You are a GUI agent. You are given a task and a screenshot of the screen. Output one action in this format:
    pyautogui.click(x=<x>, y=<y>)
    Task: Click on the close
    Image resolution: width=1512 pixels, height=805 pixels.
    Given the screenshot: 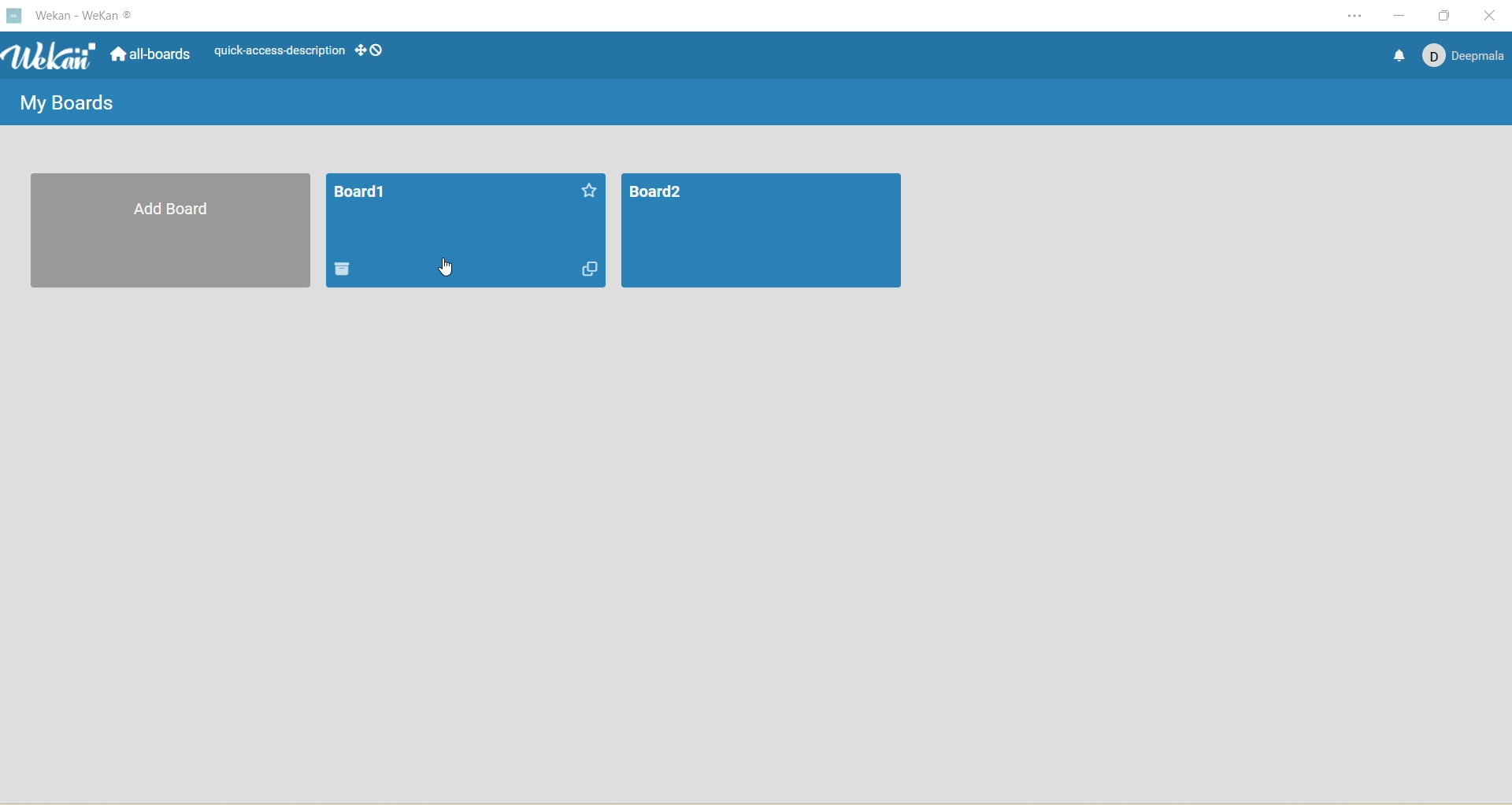 What is the action you would take?
    pyautogui.click(x=1495, y=16)
    